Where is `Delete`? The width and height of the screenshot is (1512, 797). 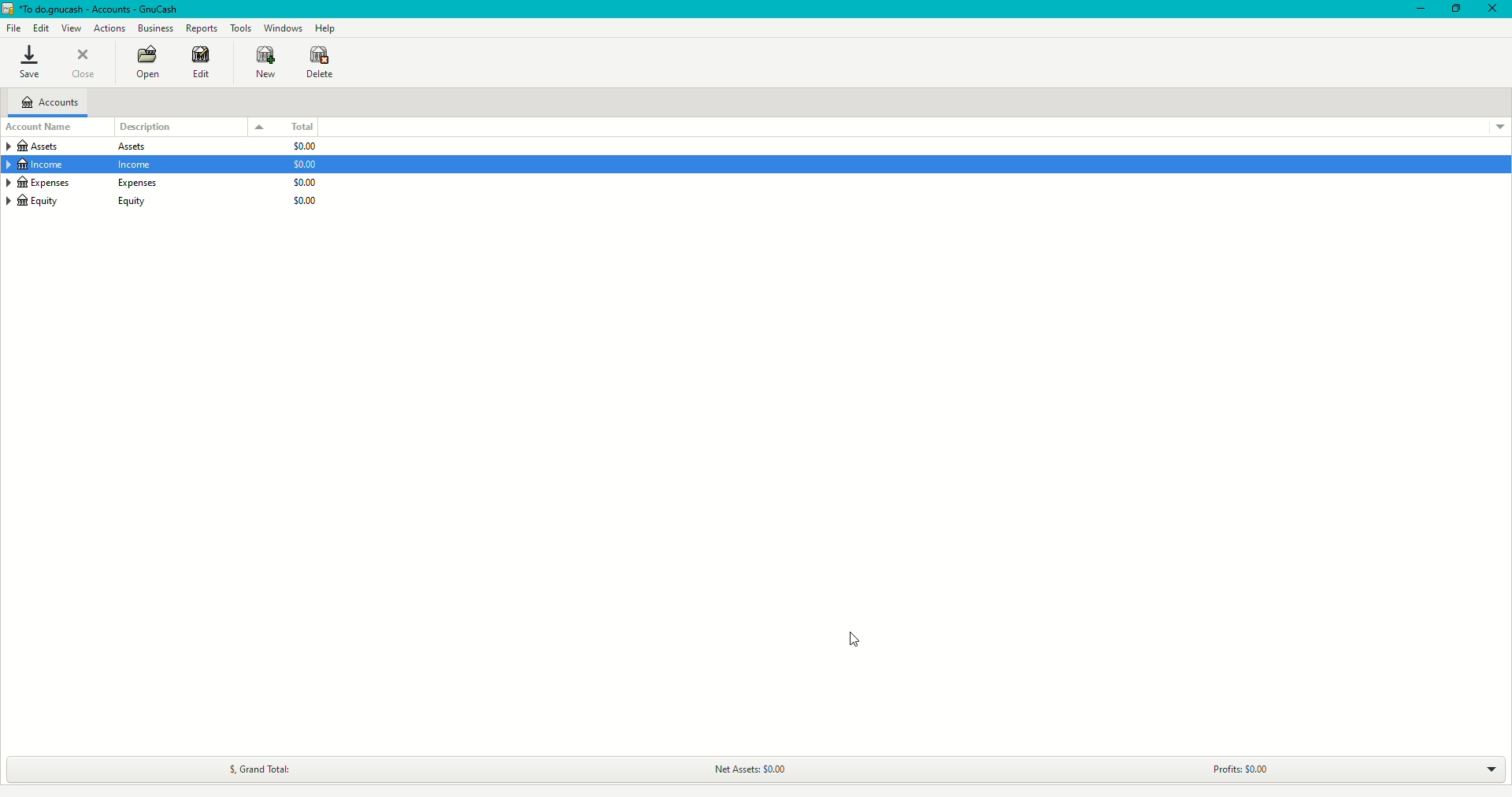 Delete is located at coordinates (323, 61).